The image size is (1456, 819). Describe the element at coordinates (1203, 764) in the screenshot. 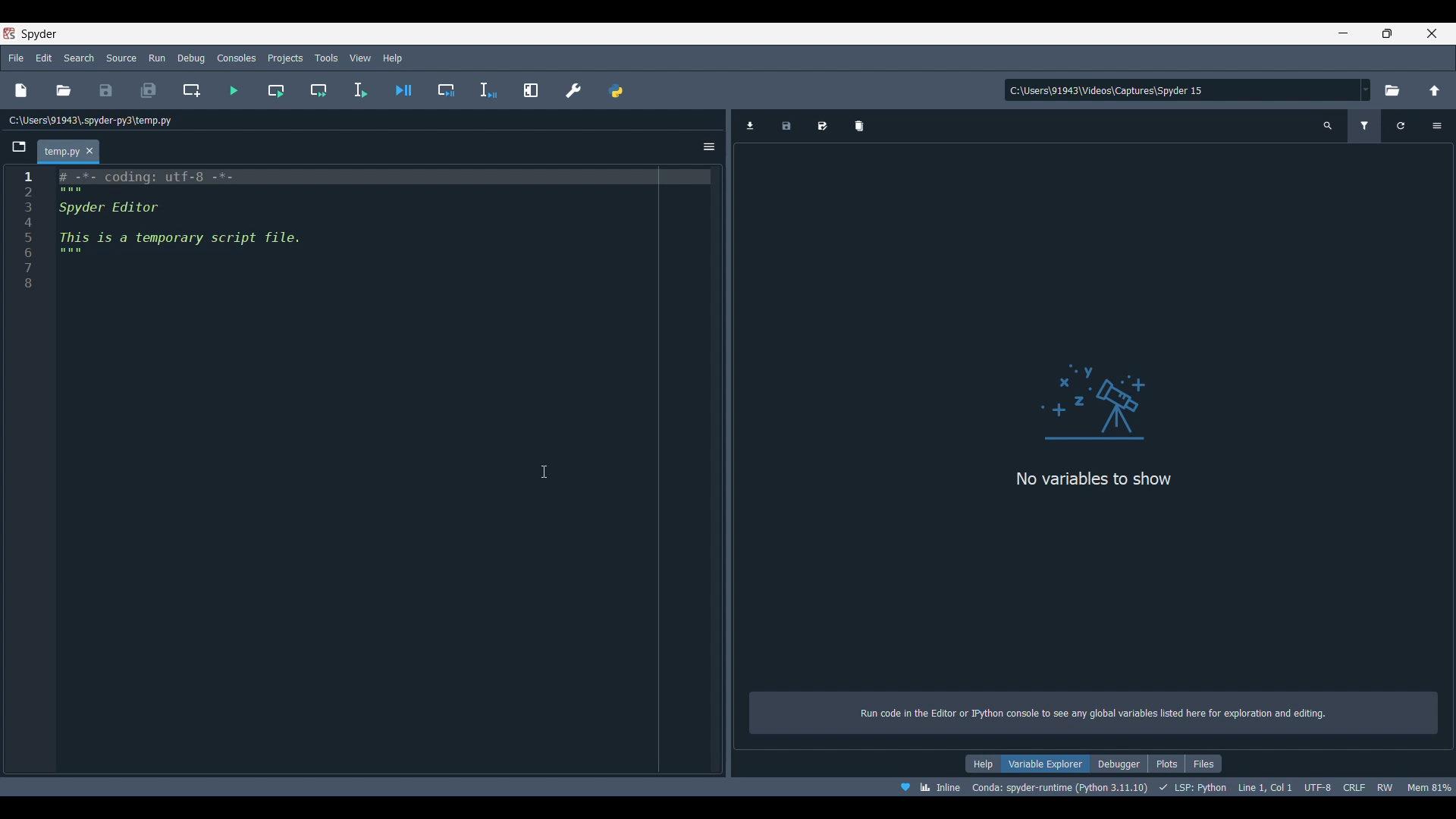

I see `Files` at that location.